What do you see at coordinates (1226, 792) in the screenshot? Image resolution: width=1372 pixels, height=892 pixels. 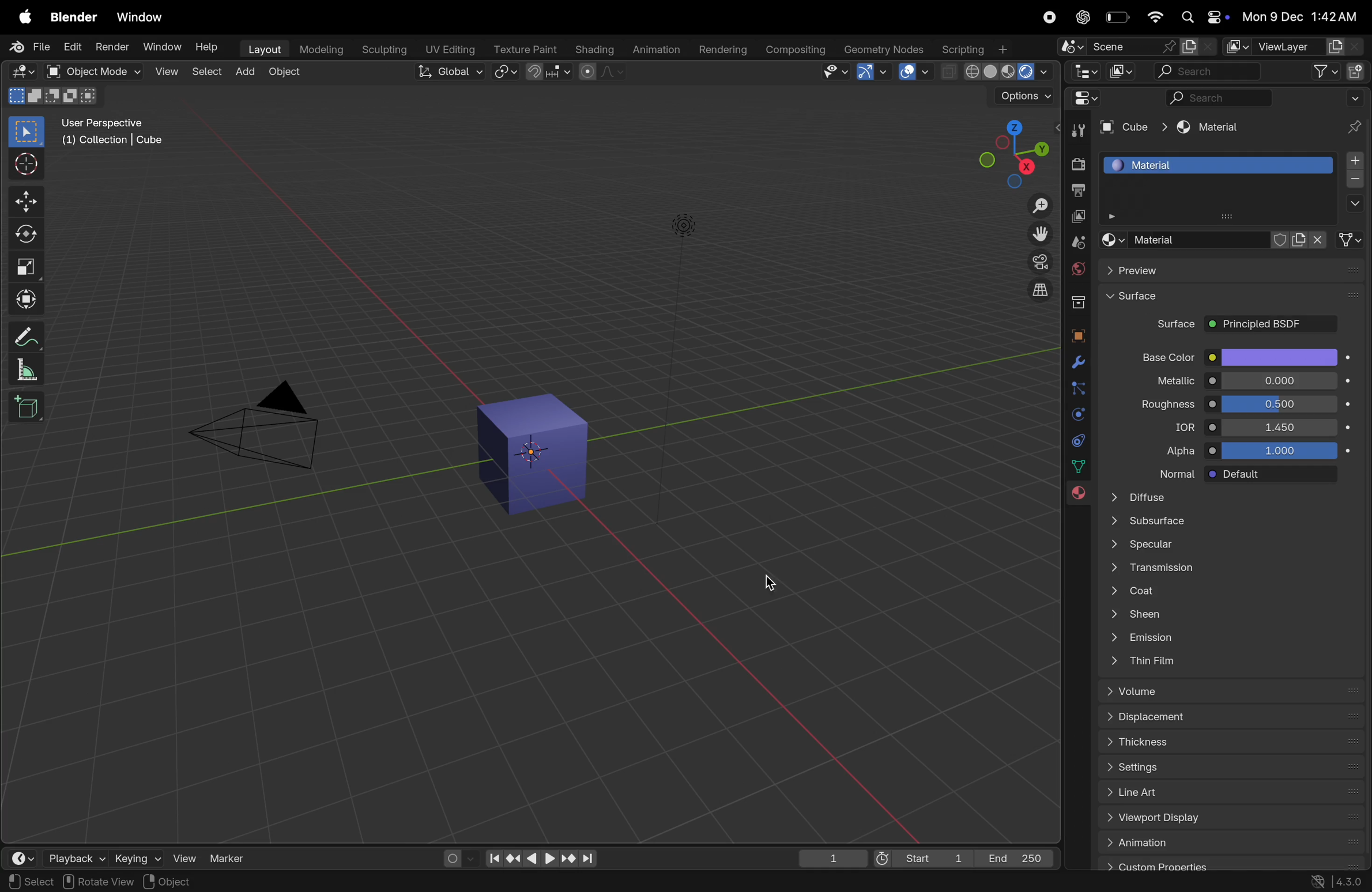 I see `line art` at bounding box center [1226, 792].